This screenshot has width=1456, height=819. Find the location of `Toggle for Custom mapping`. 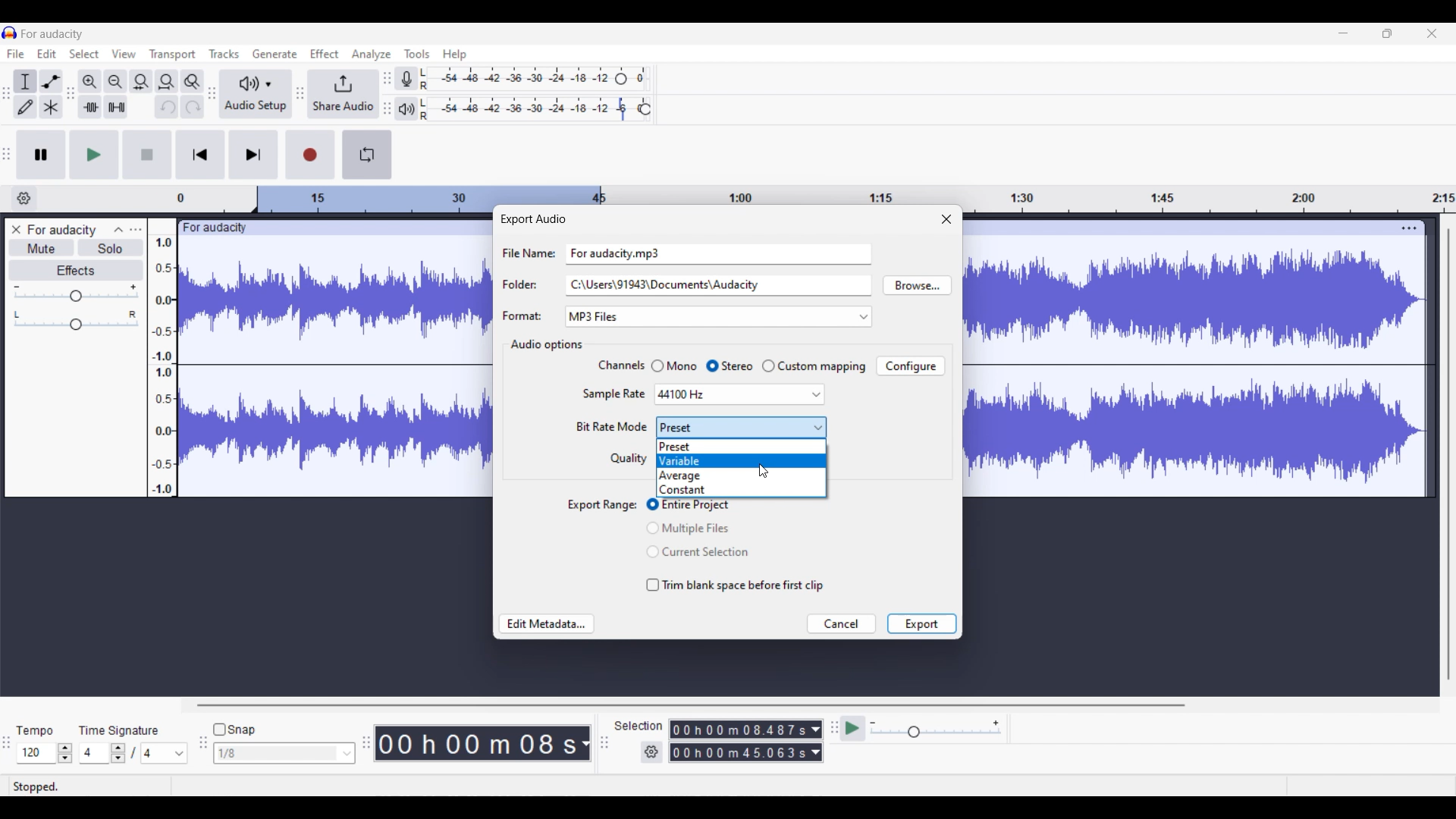

Toggle for Custom mapping is located at coordinates (814, 366).